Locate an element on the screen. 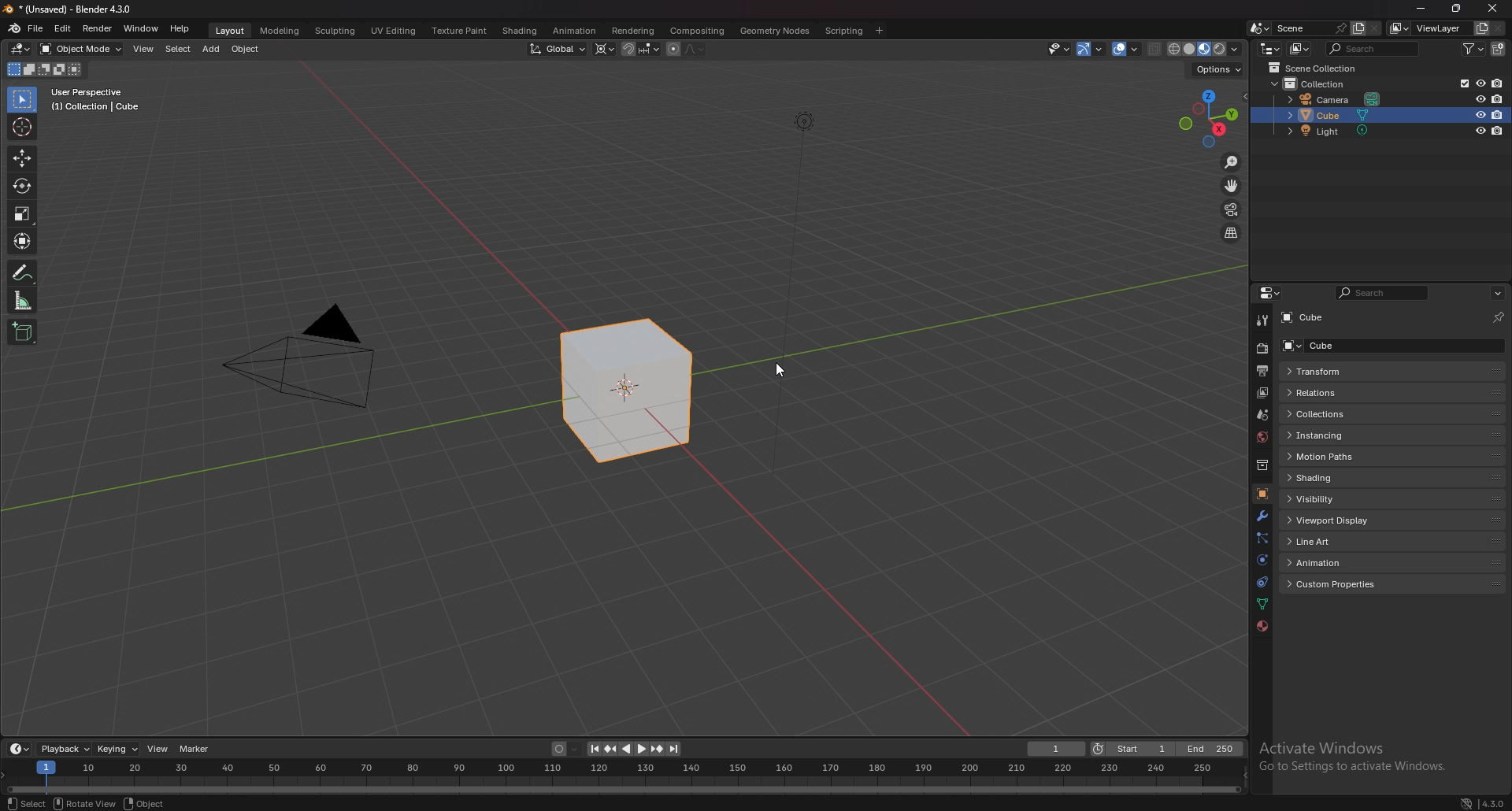 This screenshot has width=1512, height=811. editor type is located at coordinates (20, 750).